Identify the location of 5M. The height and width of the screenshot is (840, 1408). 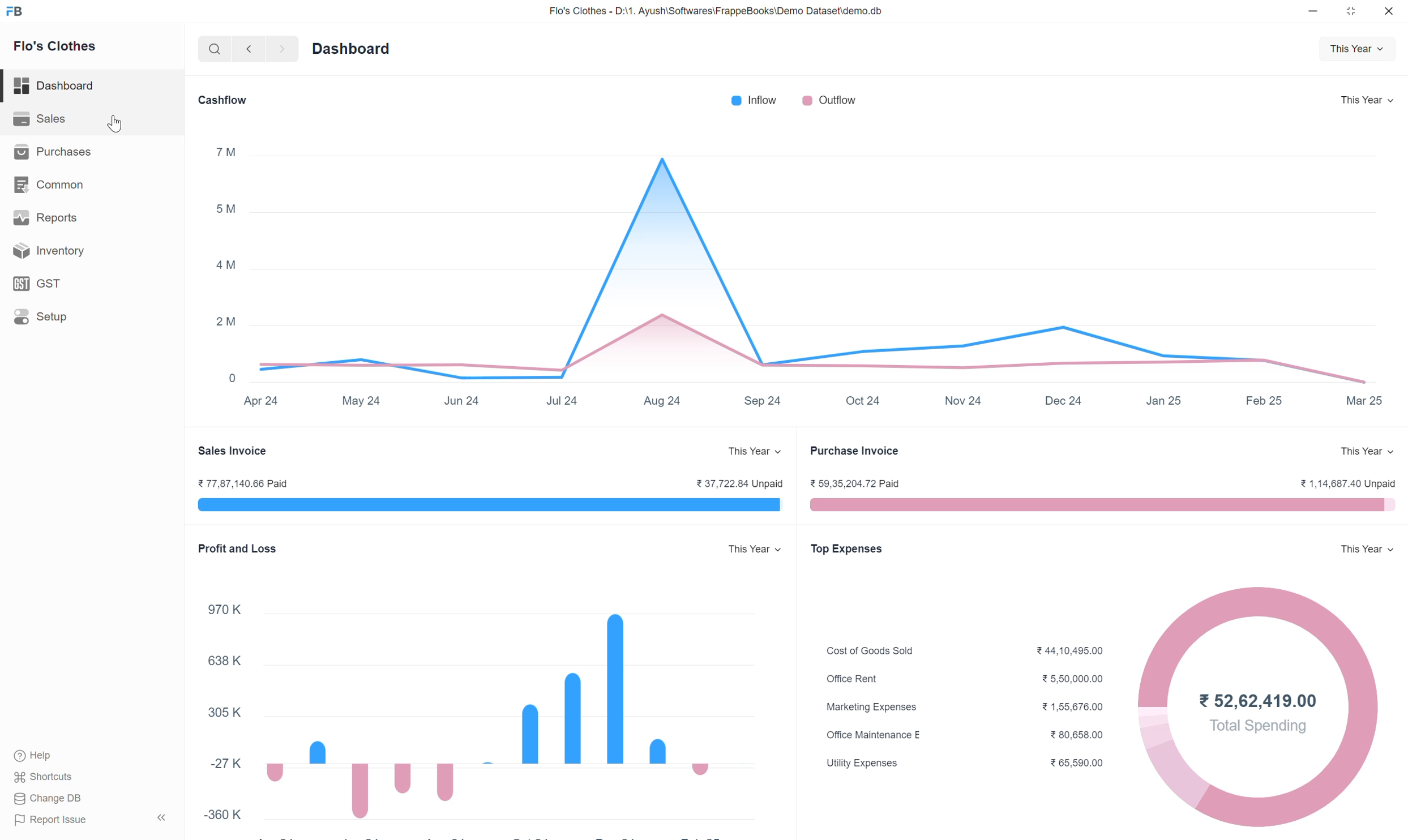
(220, 208).